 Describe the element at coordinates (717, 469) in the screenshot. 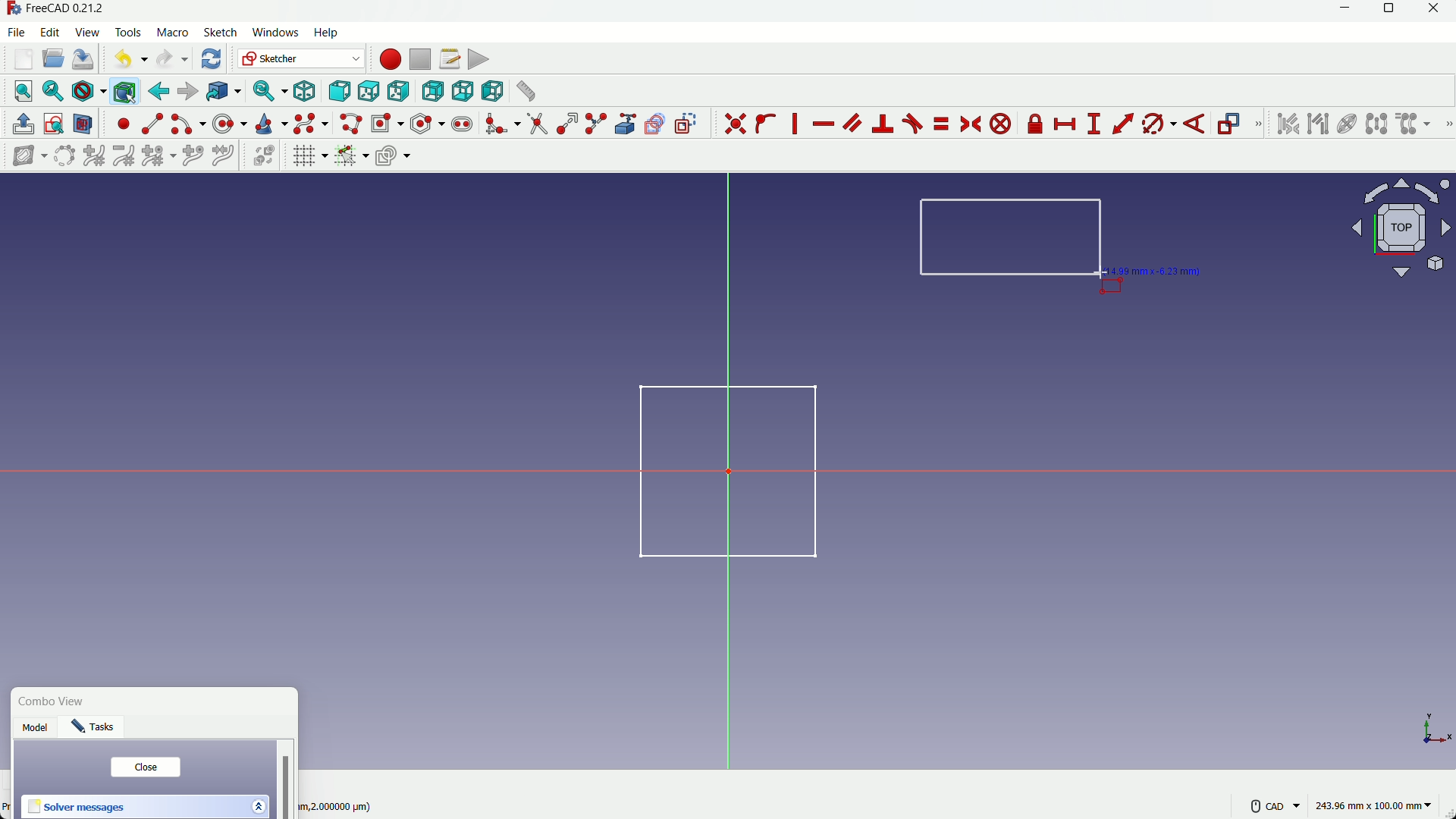

I see `sketch` at that location.